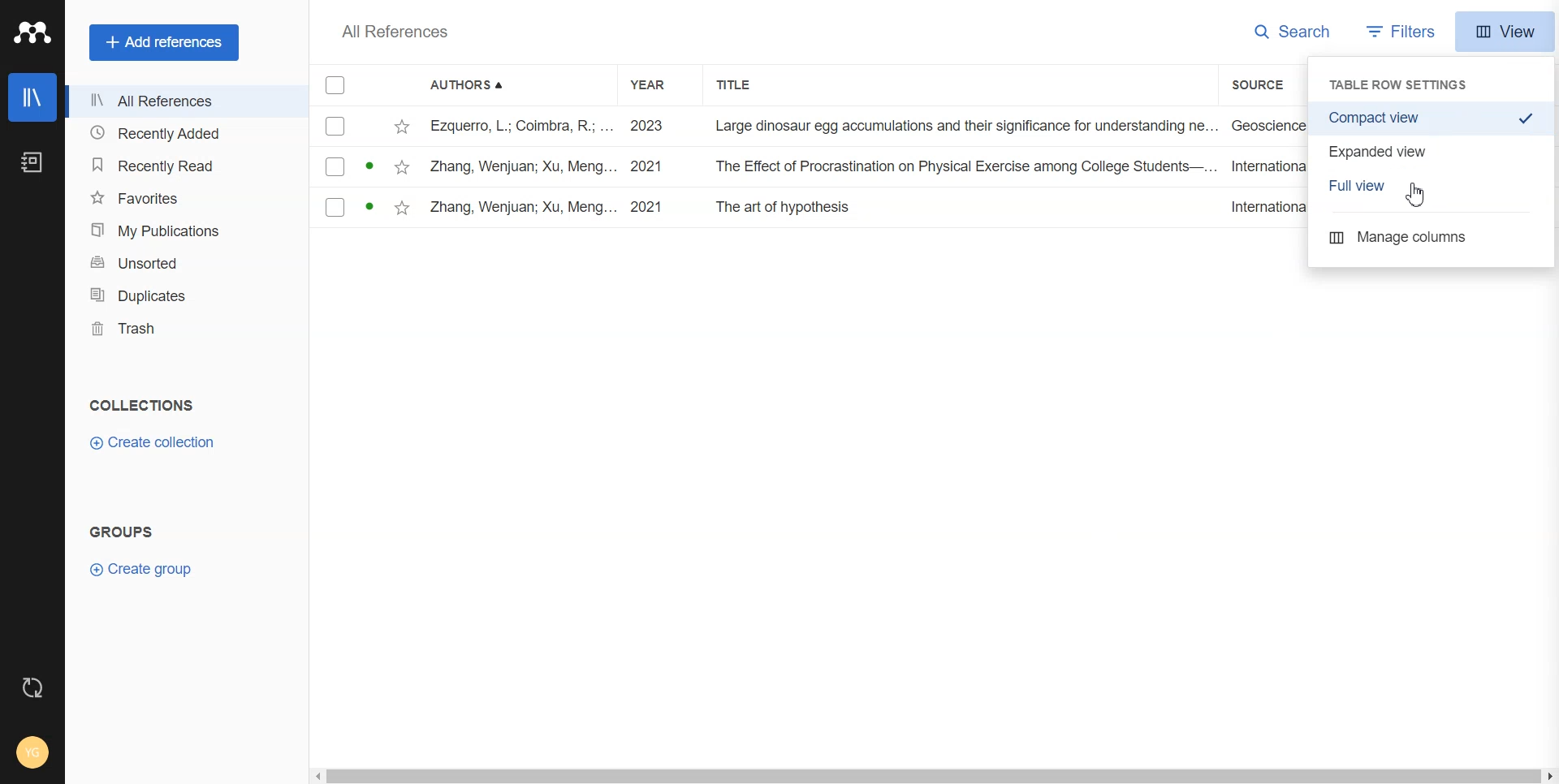 This screenshot has height=784, width=1559. What do you see at coordinates (336, 85) in the screenshot?
I see `Checkmarks` at bounding box center [336, 85].